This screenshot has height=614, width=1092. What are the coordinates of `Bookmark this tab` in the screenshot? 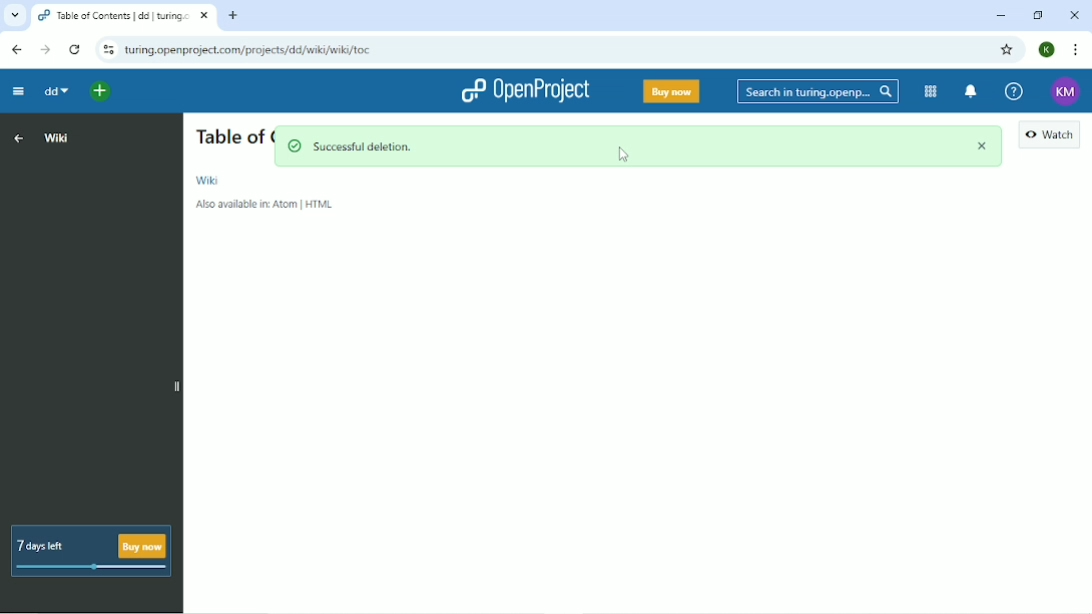 It's located at (1007, 50).